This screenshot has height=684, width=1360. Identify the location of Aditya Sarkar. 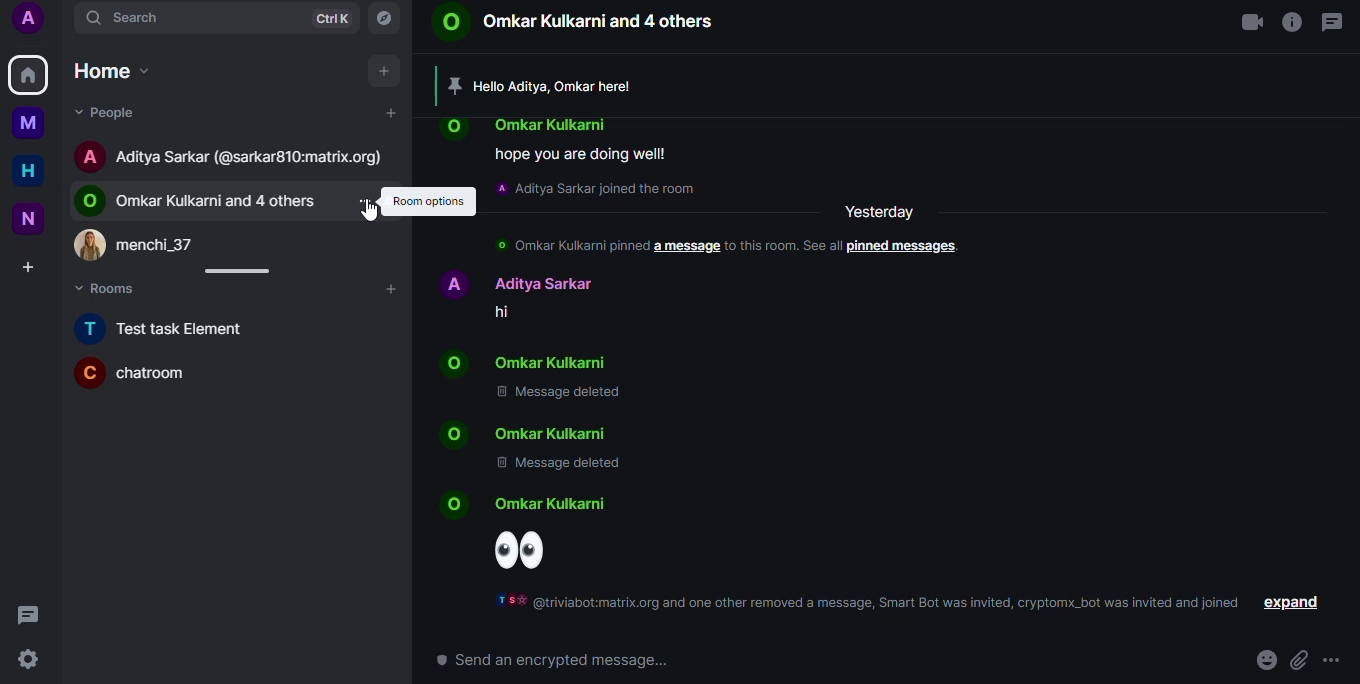
(520, 280).